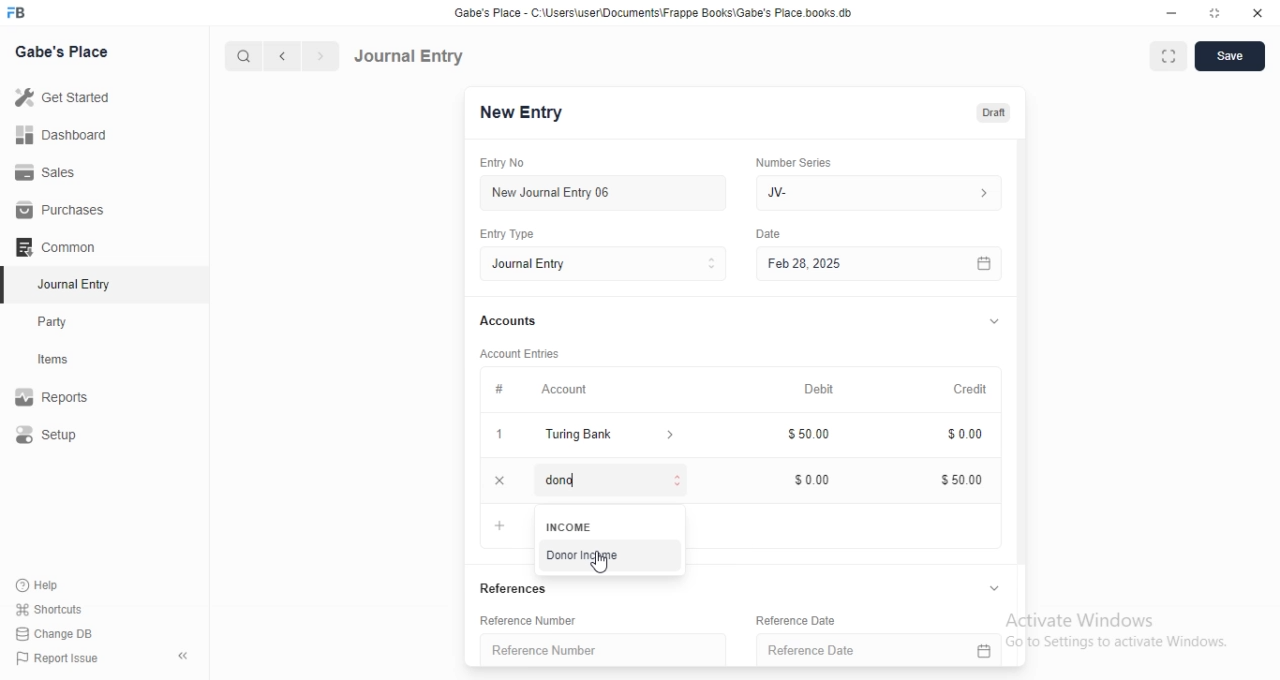 This screenshot has width=1280, height=680. What do you see at coordinates (65, 286) in the screenshot?
I see `Journal Entry` at bounding box center [65, 286].